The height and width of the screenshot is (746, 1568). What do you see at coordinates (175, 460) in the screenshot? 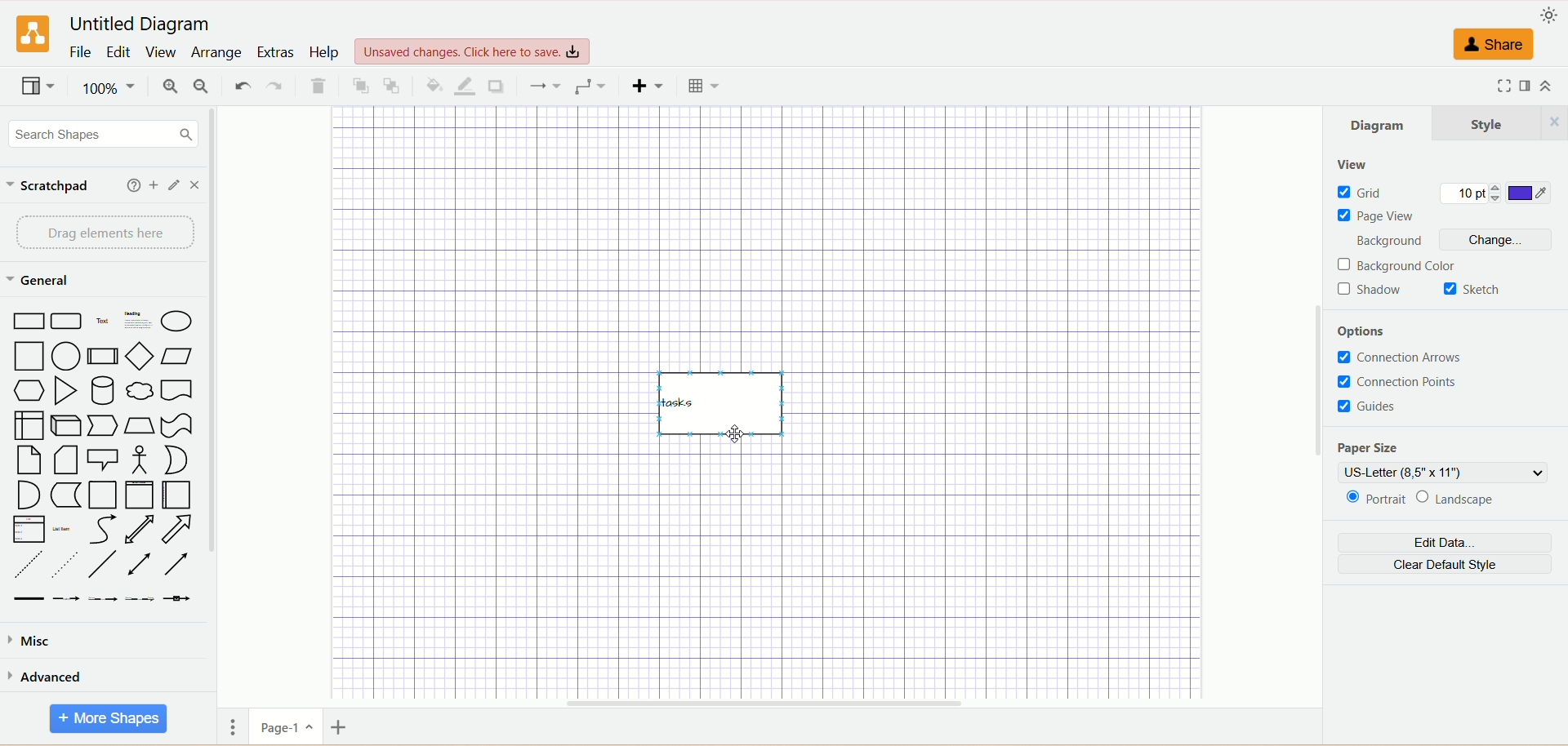
I see `Concave Crescent` at bounding box center [175, 460].